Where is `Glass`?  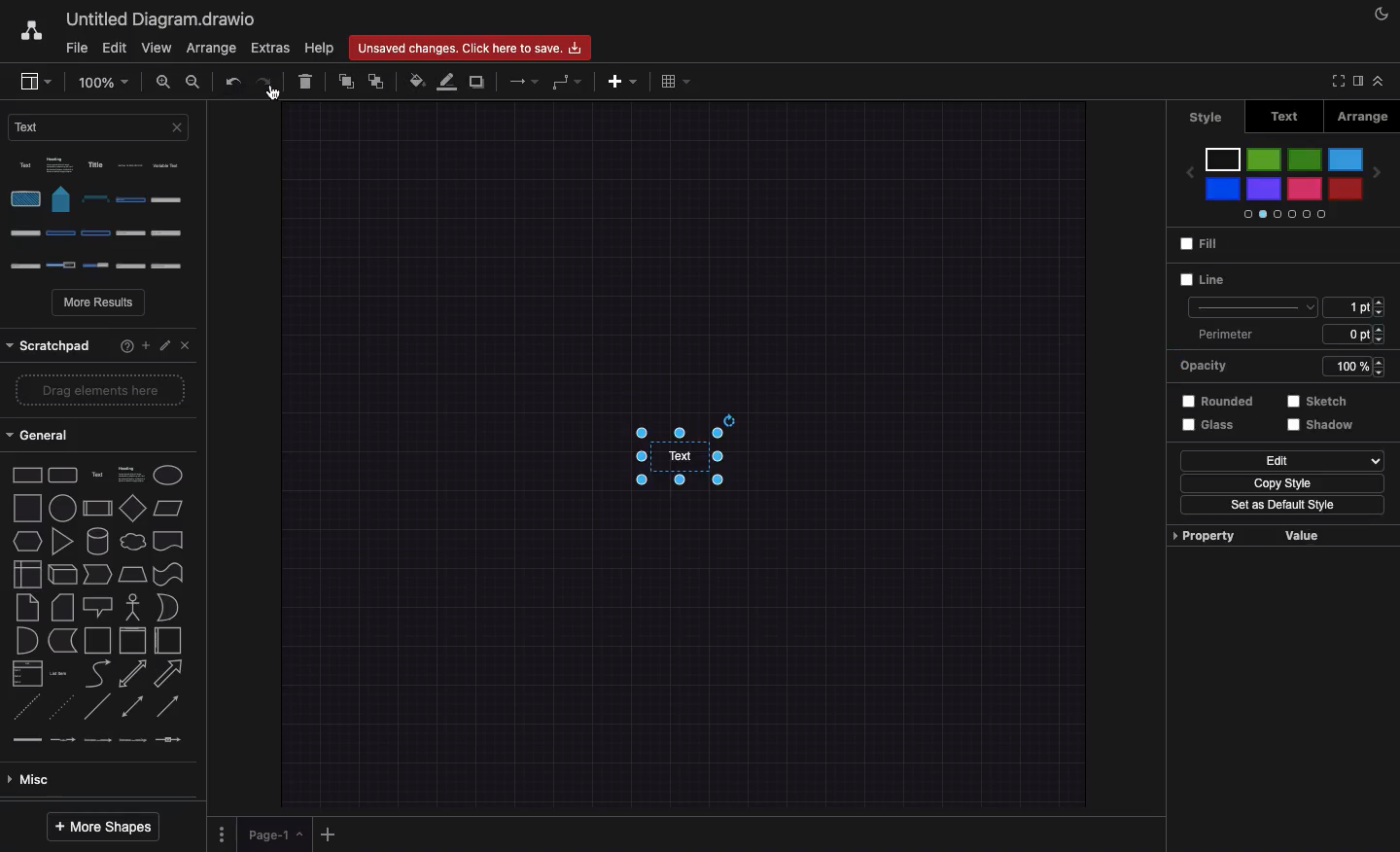
Glass is located at coordinates (1205, 424).